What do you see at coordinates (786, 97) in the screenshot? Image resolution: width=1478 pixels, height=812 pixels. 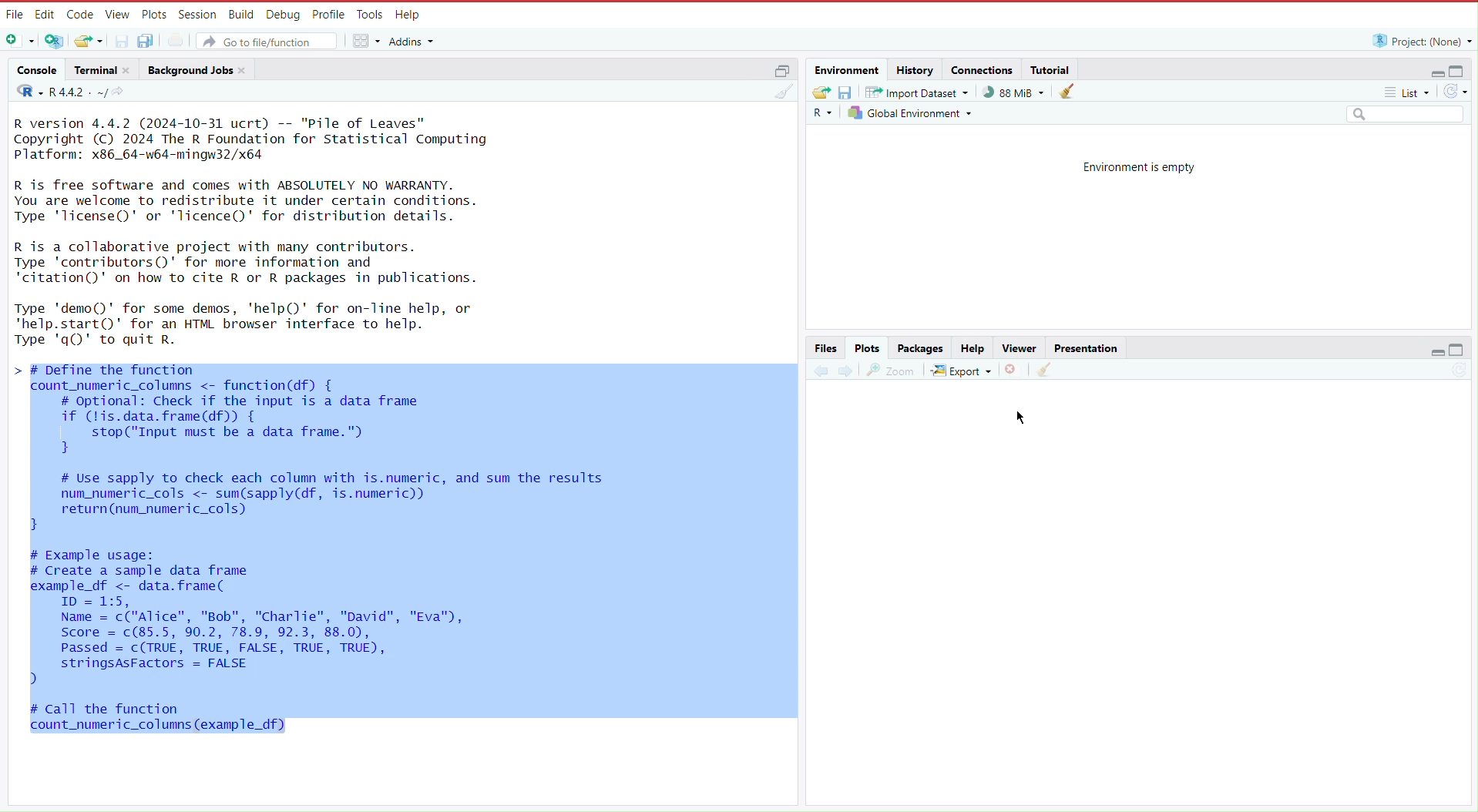 I see `Clear console (Ctrl +L)` at bounding box center [786, 97].